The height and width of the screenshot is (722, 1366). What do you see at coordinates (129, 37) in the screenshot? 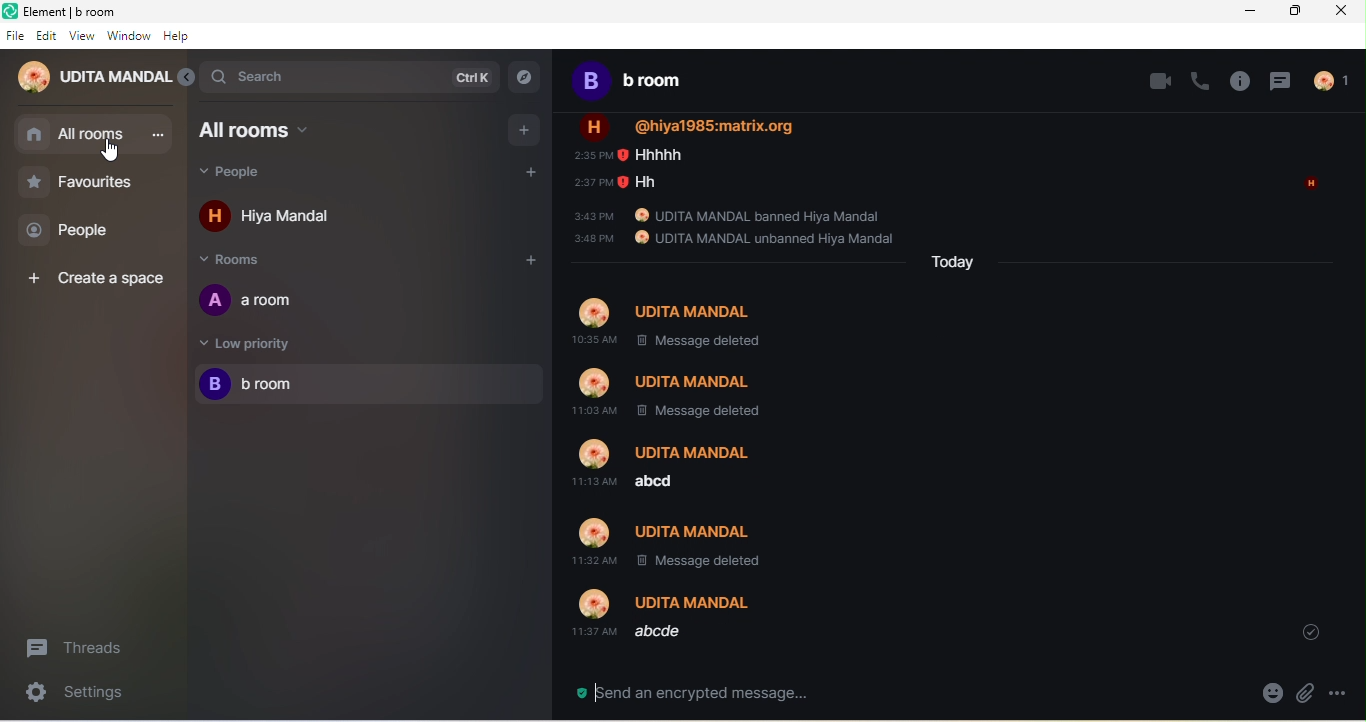
I see `window` at bounding box center [129, 37].